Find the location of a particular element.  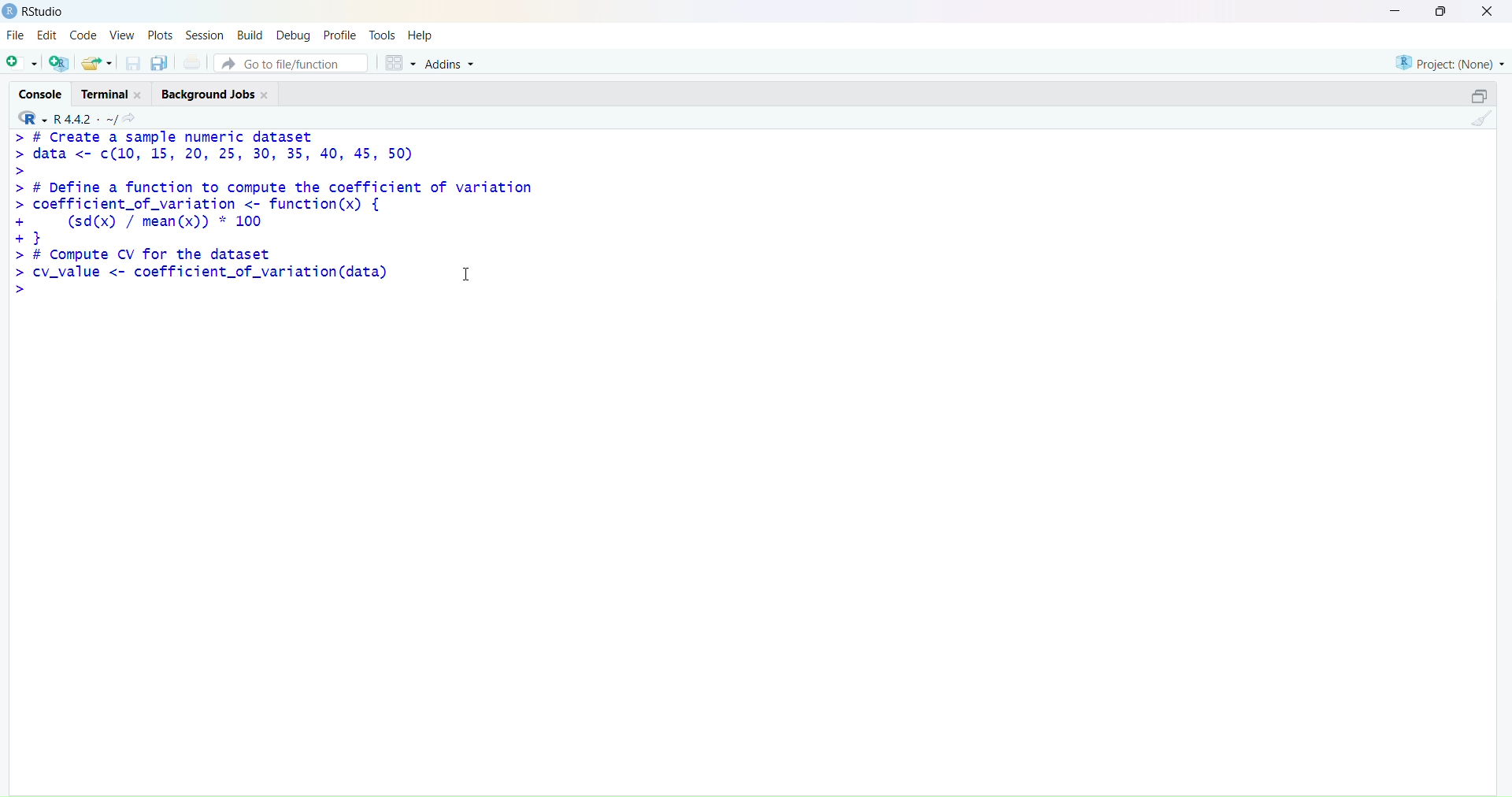

tools is located at coordinates (384, 34).